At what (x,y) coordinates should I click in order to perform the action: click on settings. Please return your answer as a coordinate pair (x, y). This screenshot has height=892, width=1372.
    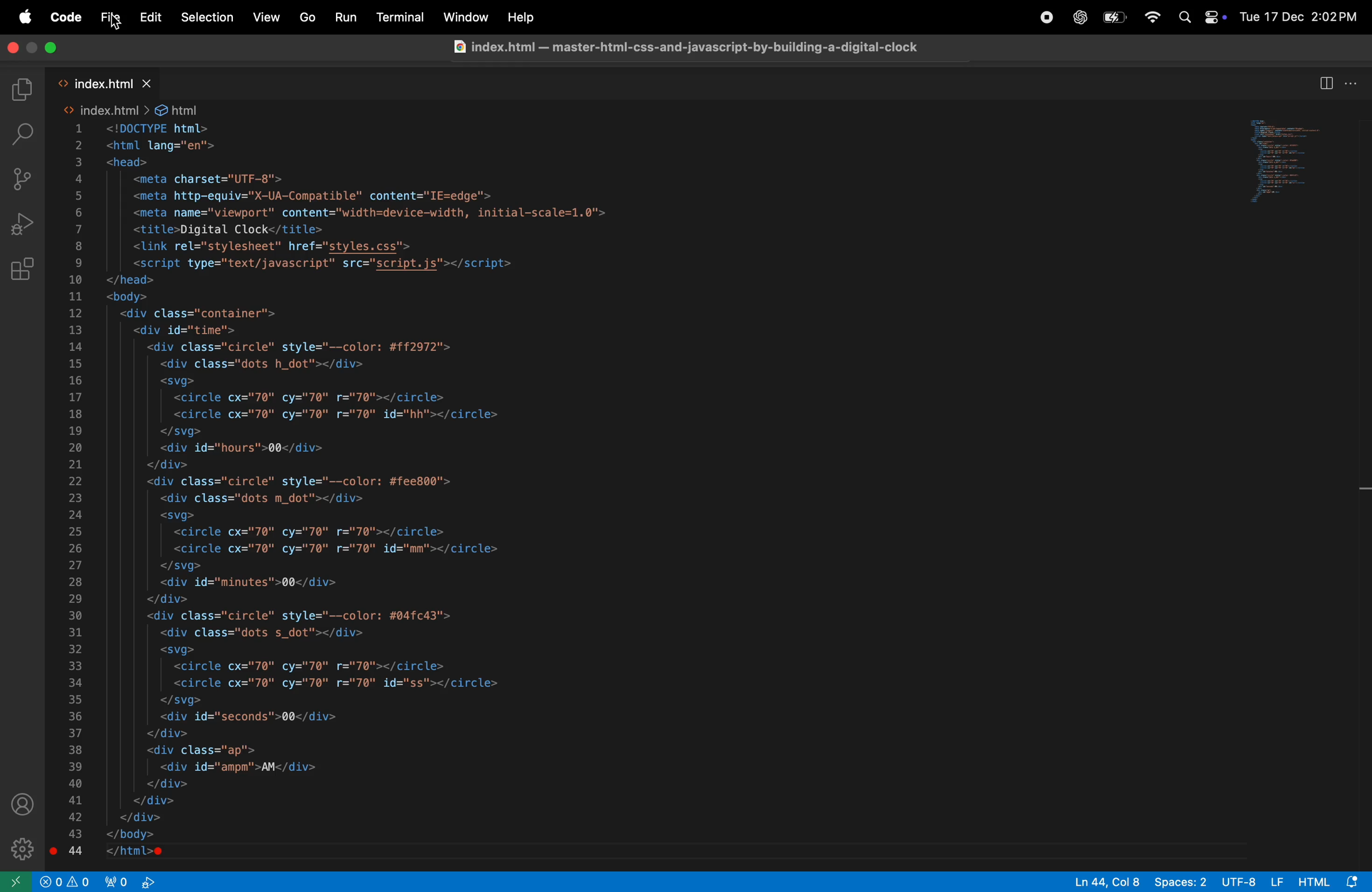
    Looking at the image, I should click on (21, 849).